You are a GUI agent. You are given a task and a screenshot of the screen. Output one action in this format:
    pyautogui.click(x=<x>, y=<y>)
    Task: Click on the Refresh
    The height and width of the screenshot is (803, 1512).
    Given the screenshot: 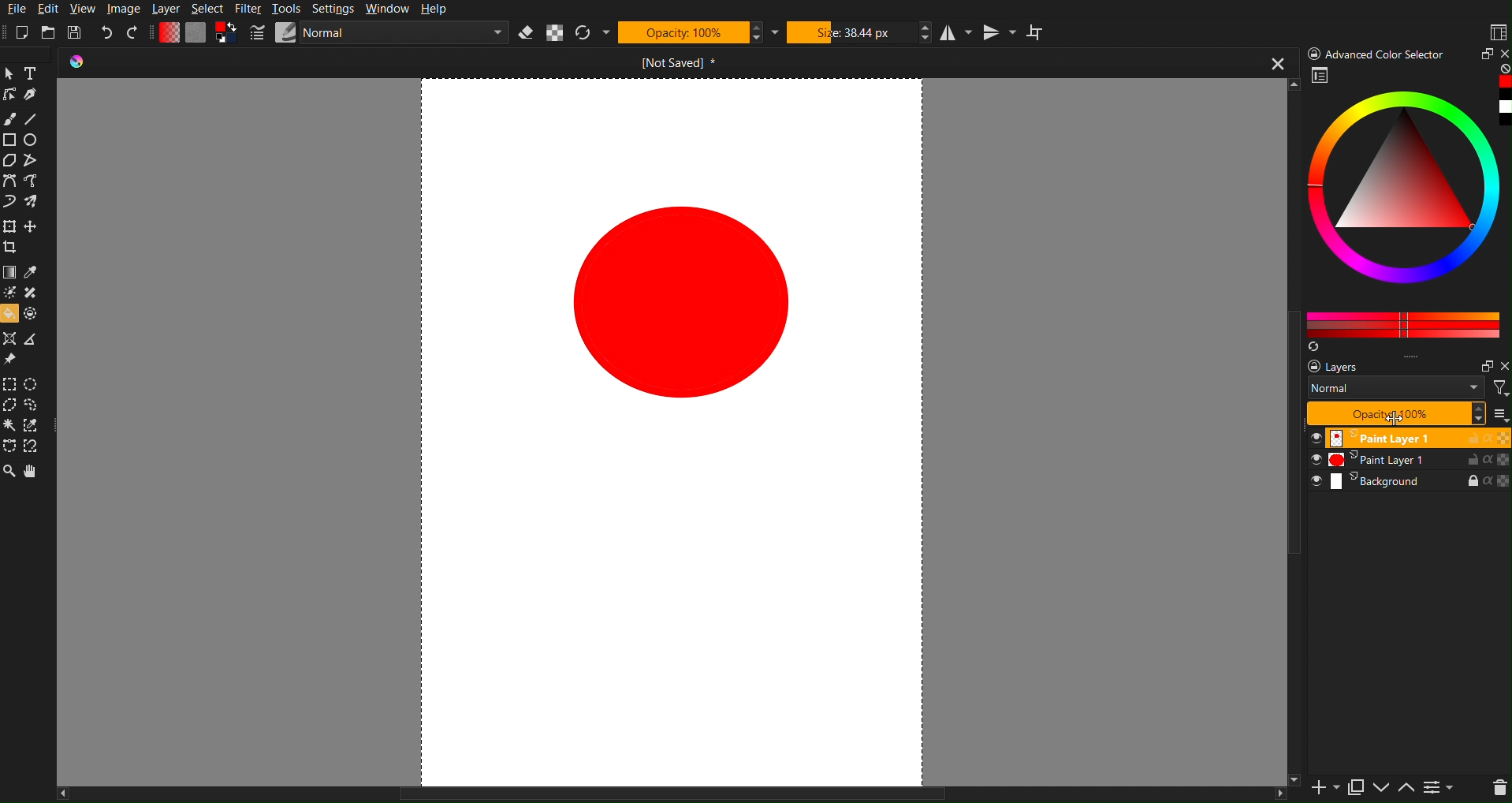 What is the action you would take?
    pyautogui.click(x=594, y=35)
    